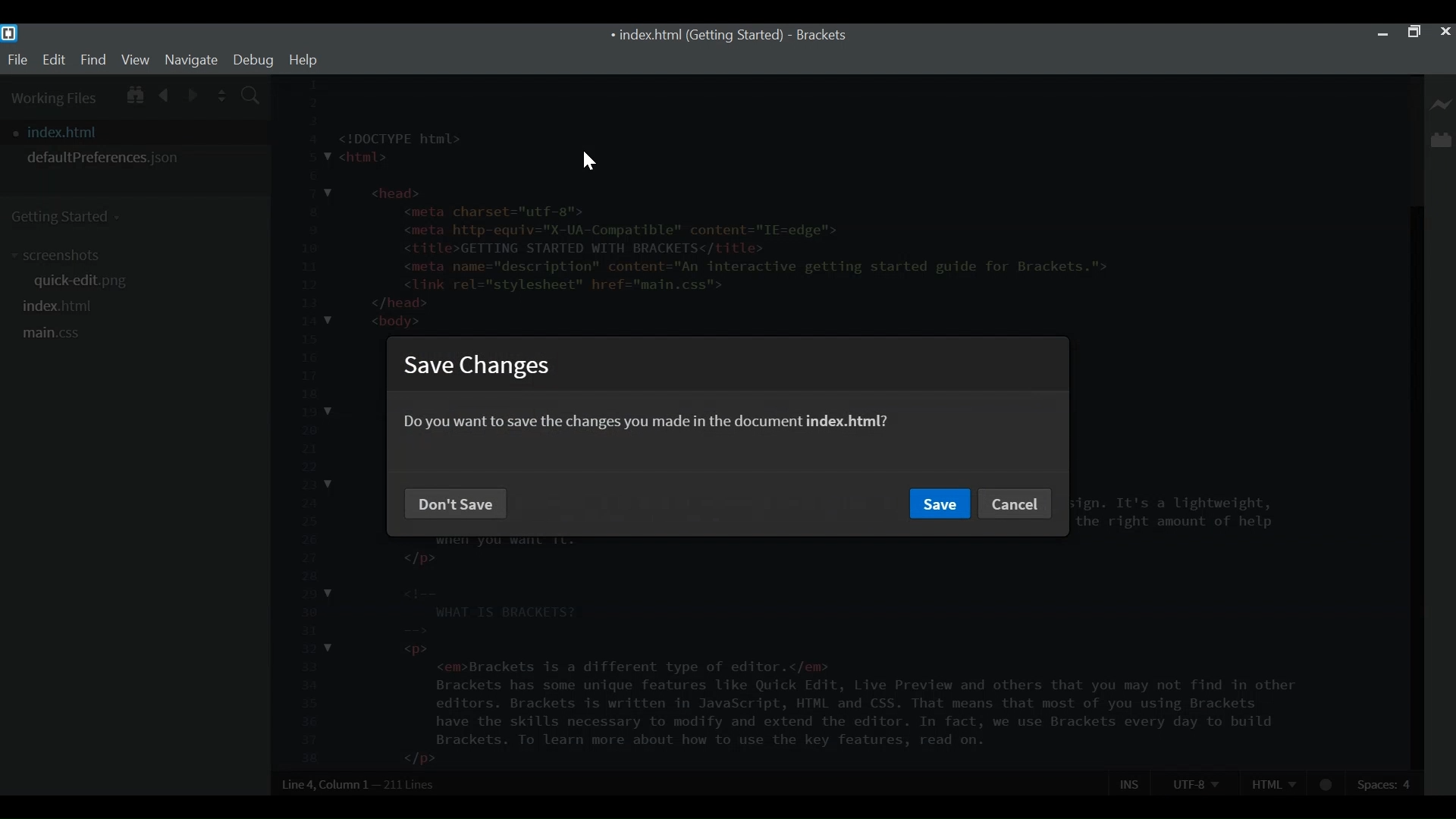 This screenshot has width=1456, height=819. Describe the element at coordinates (1327, 785) in the screenshot. I see `No lintel available for HTML` at that location.